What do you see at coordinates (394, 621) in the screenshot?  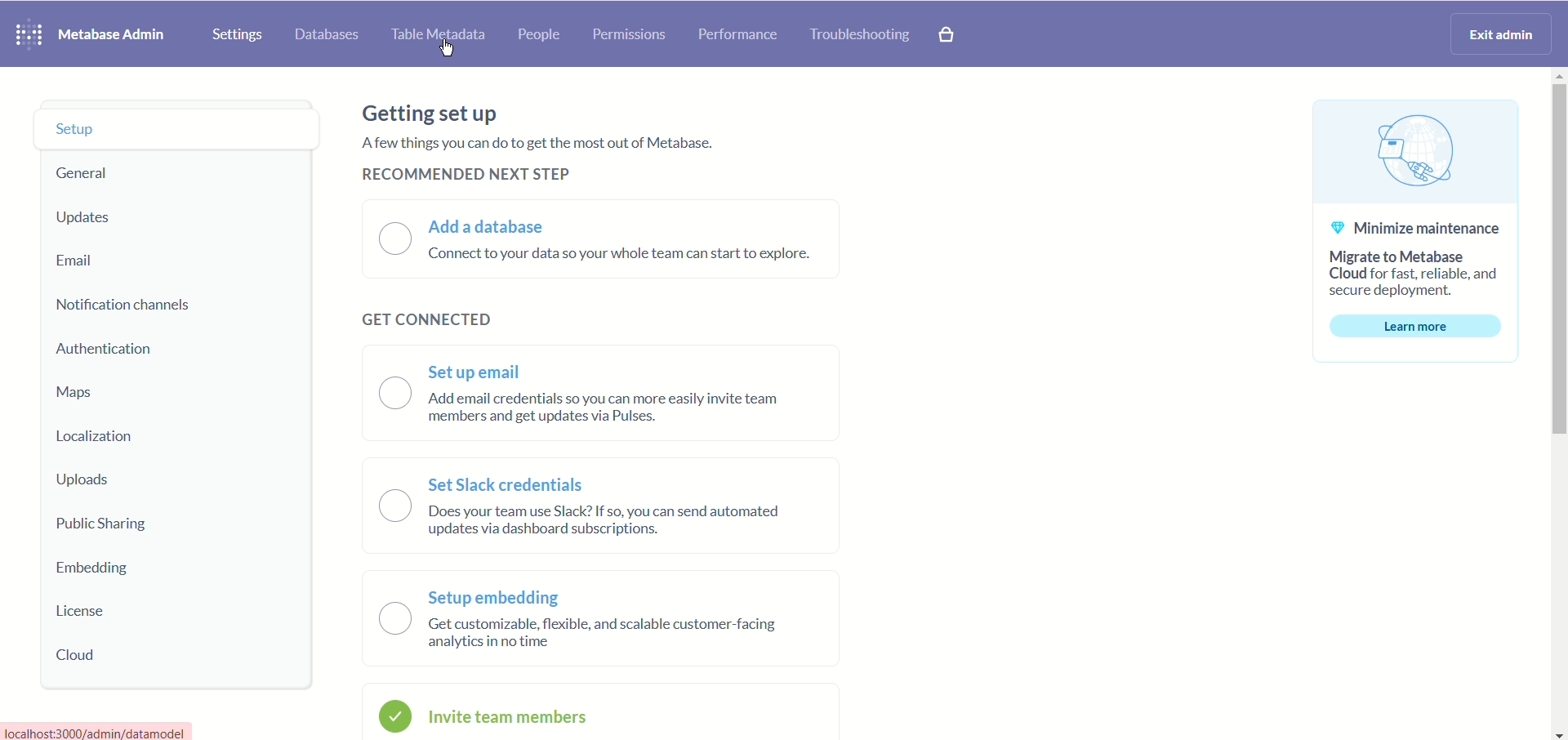 I see `Radio Button` at bounding box center [394, 621].